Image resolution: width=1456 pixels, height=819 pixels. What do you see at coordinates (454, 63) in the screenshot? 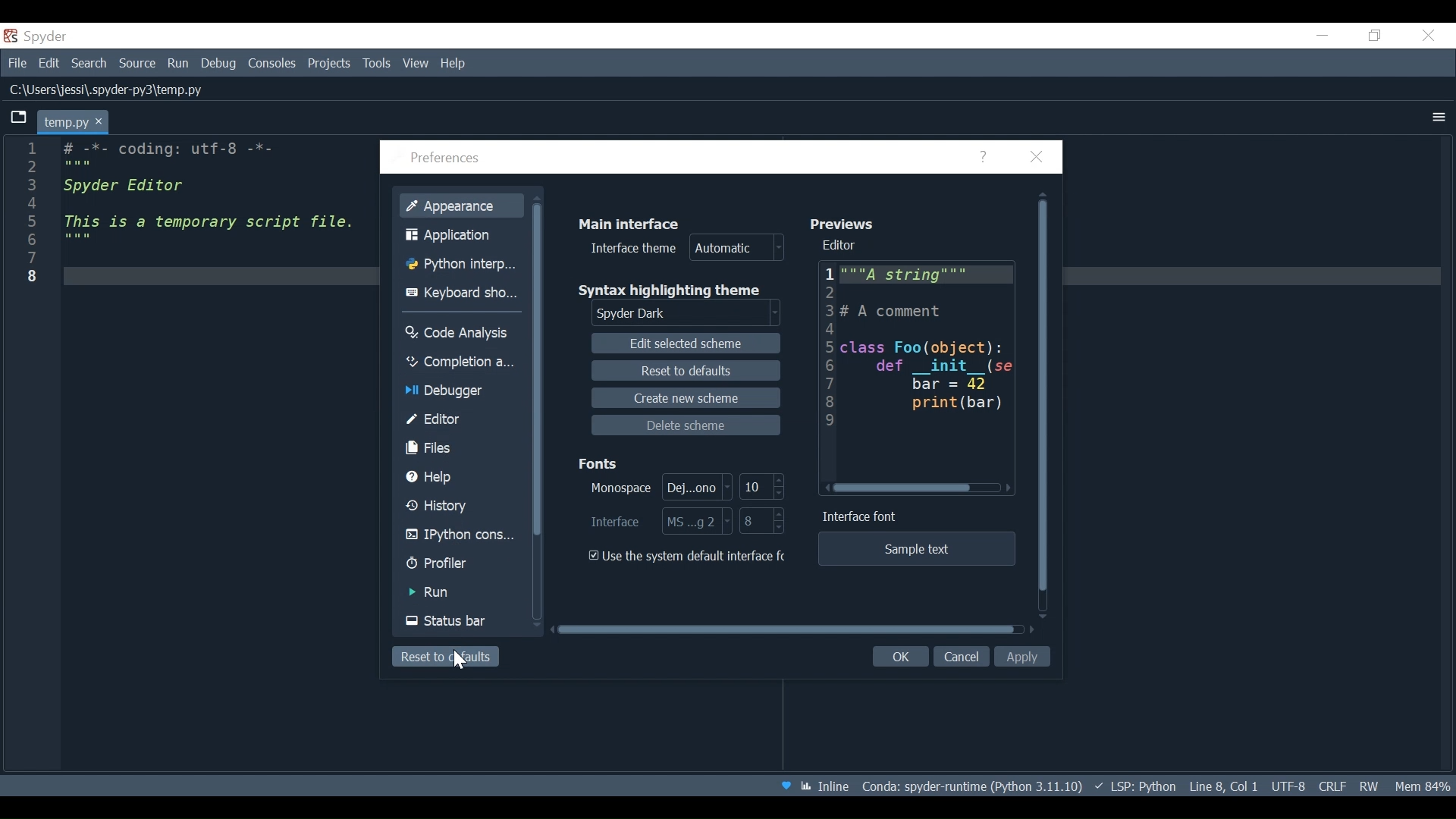
I see `Help` at bounding box center [454, 63].